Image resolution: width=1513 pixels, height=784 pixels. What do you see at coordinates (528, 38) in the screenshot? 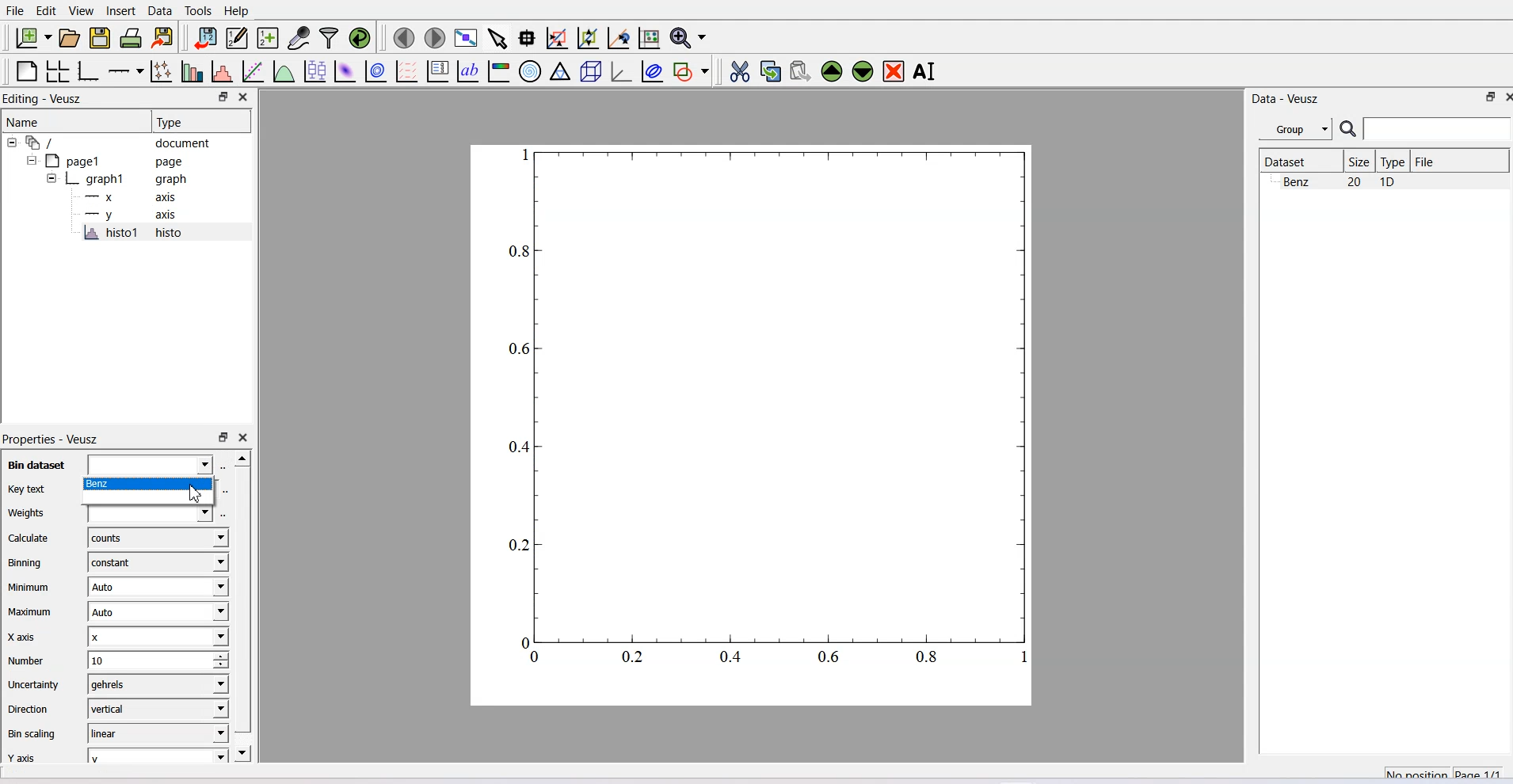
I see `Read datapoint on graph` at bounding box center [528, 38].